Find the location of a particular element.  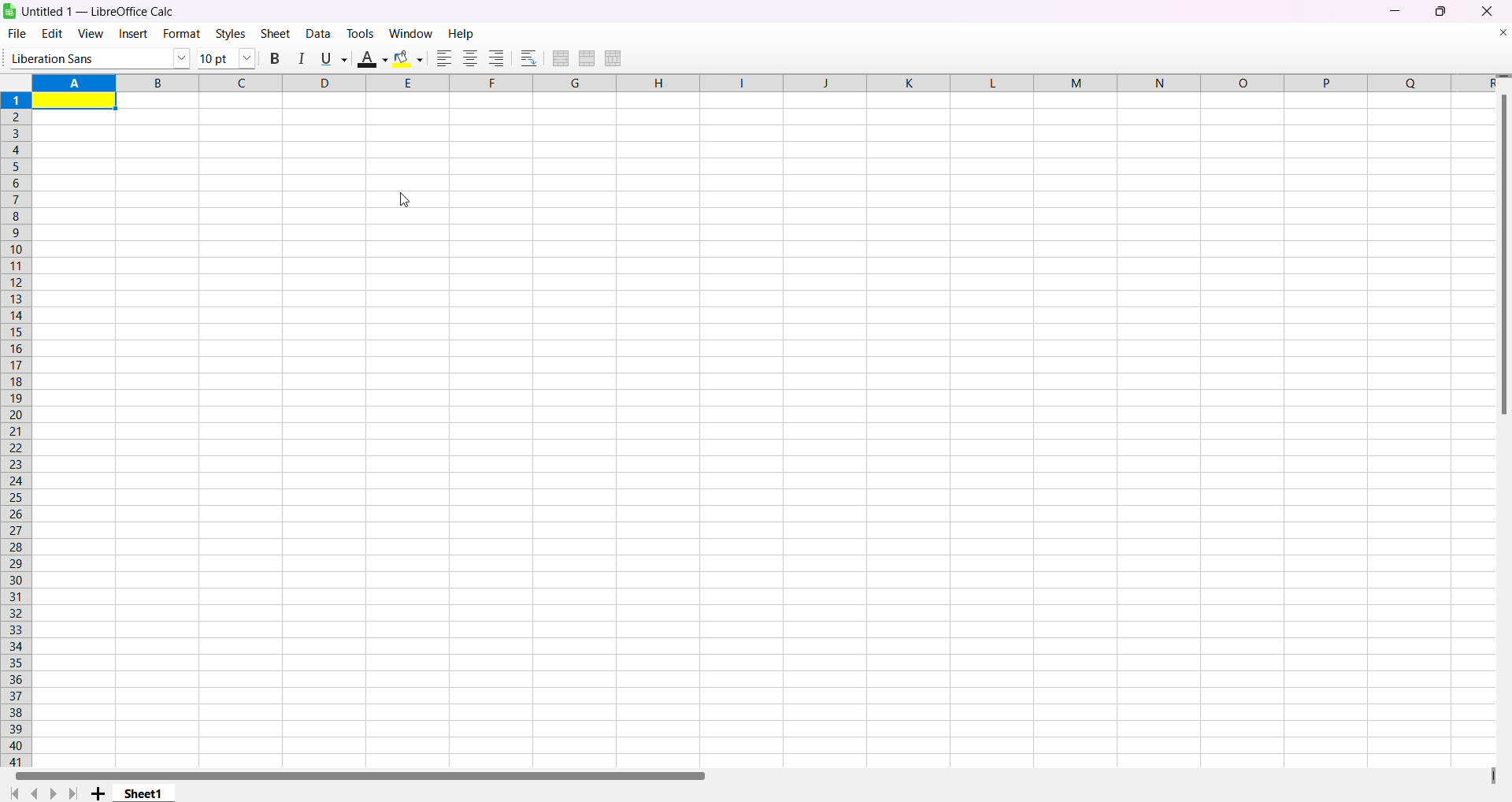

wrap text is located at coordinates (531, 57).